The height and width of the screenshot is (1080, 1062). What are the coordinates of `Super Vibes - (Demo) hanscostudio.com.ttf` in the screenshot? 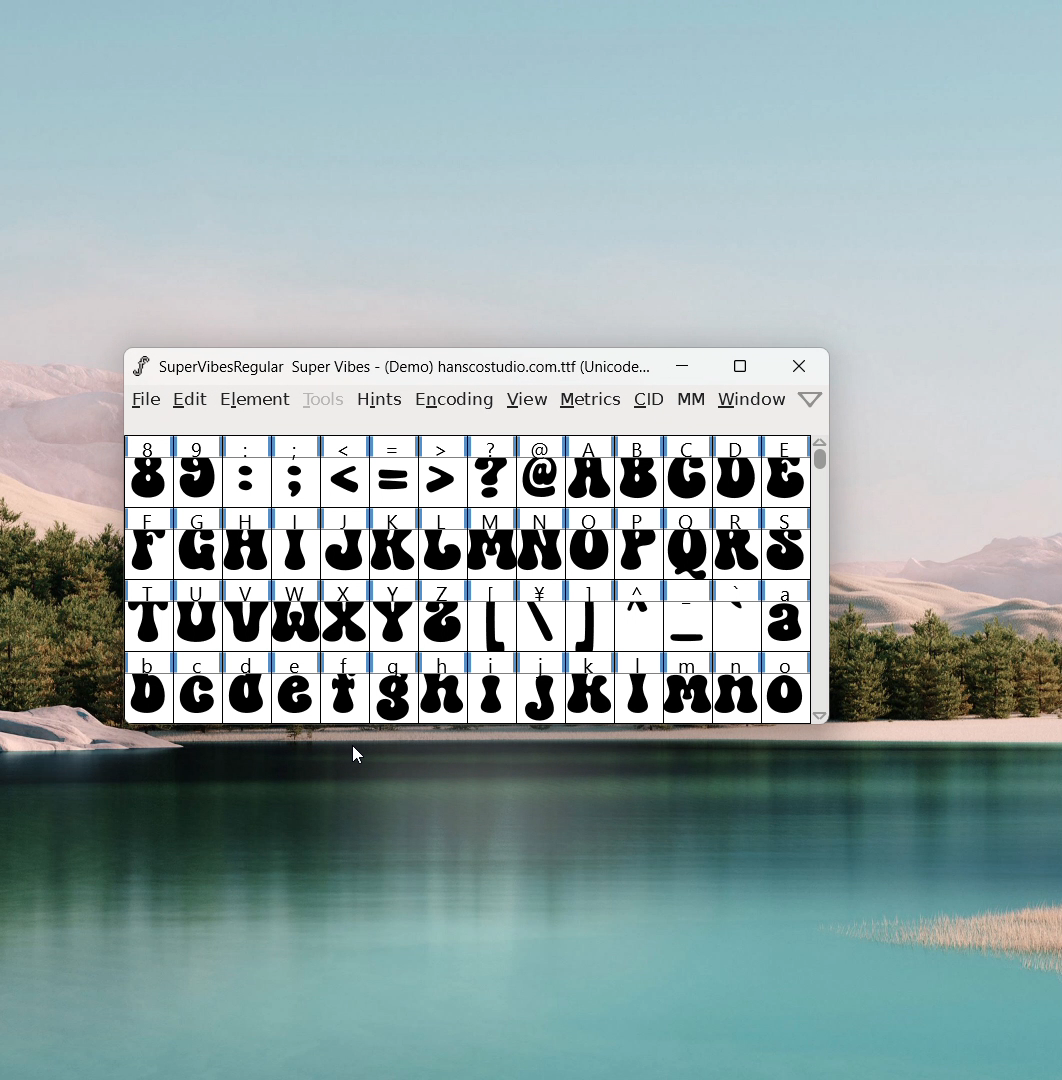 It's located at (405, 368).